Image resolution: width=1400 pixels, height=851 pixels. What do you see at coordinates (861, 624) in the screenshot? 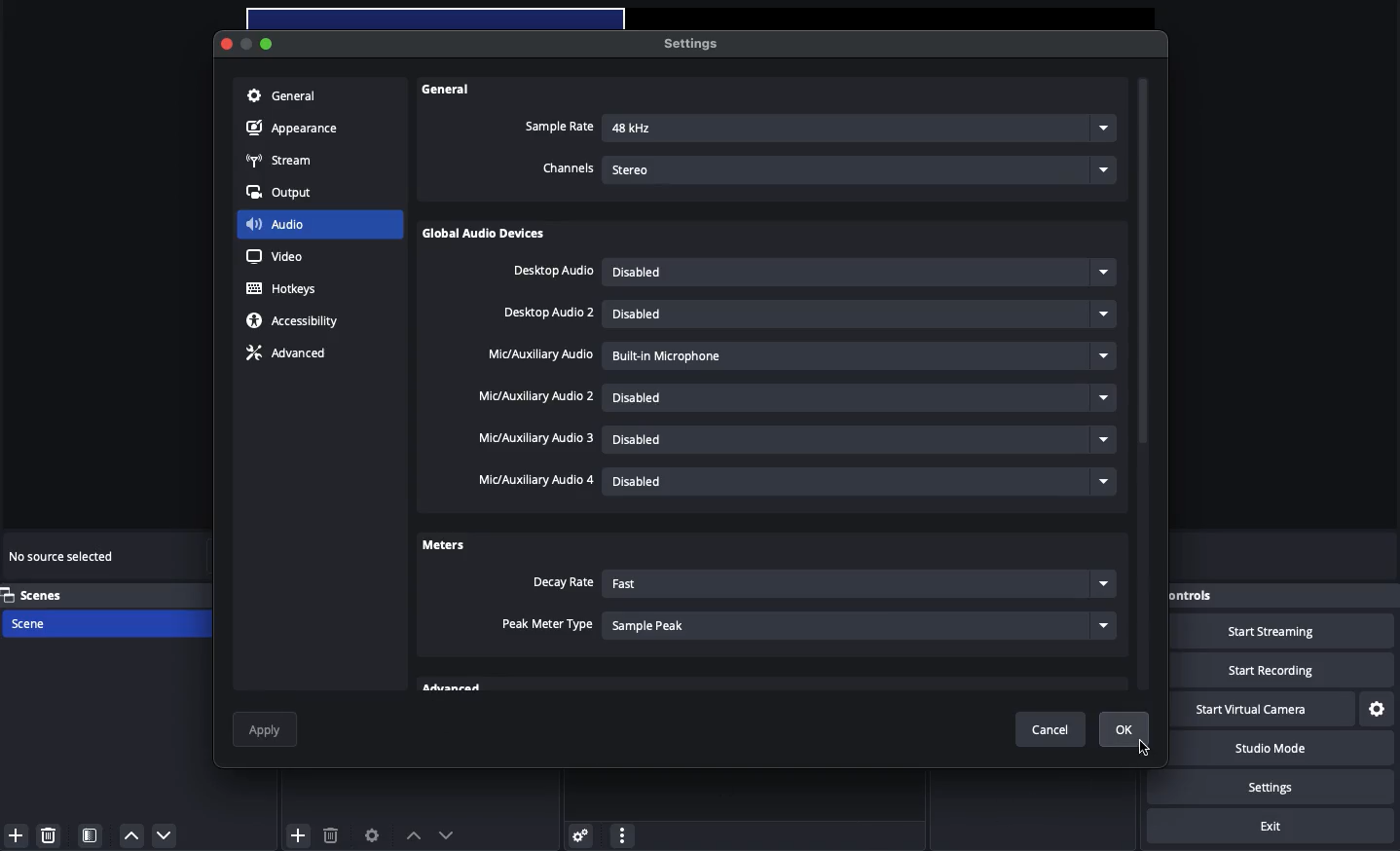
I see `Sample Peak` at bounding box center [861, 624].